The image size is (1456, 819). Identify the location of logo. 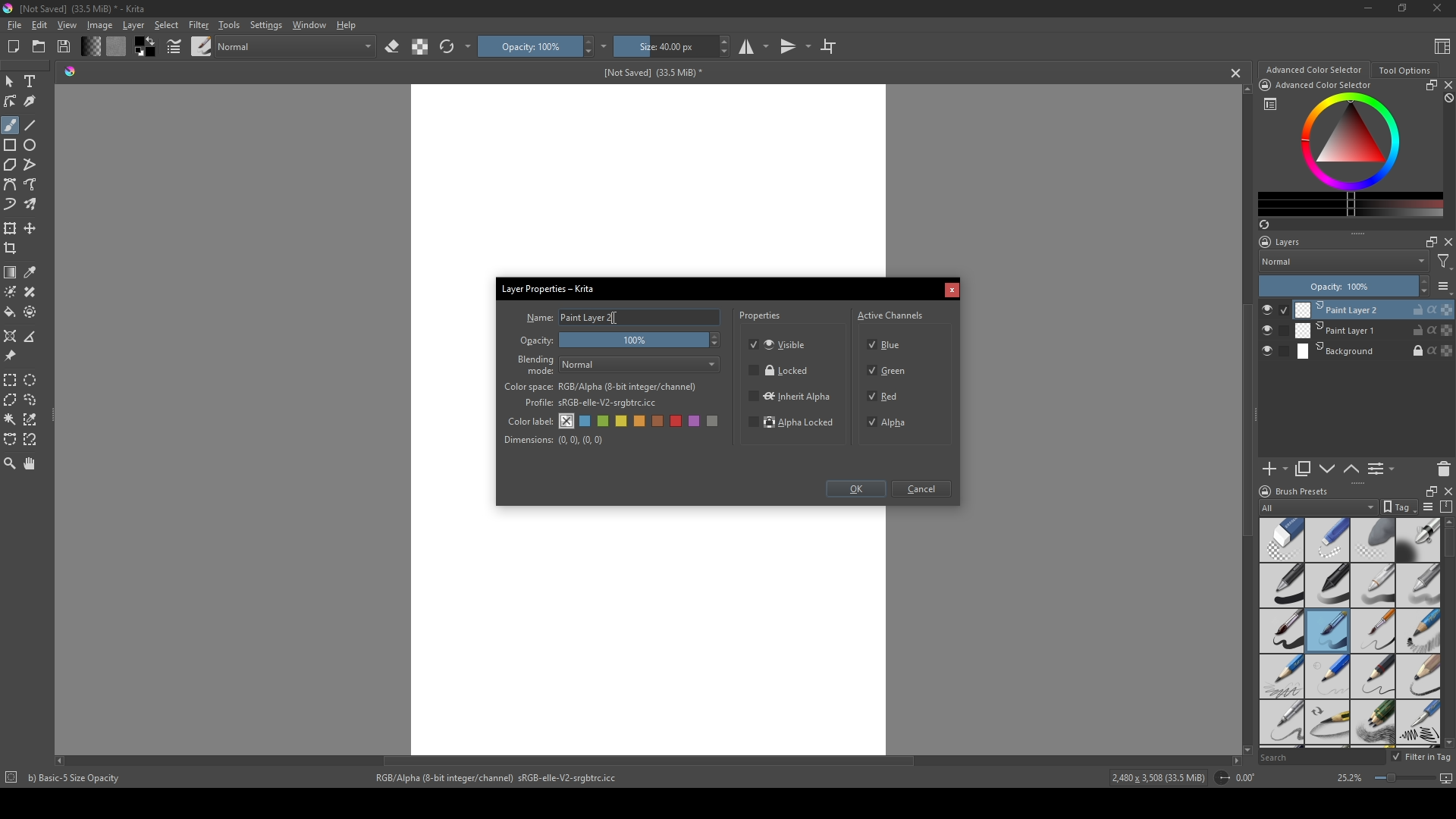
(9, 8).